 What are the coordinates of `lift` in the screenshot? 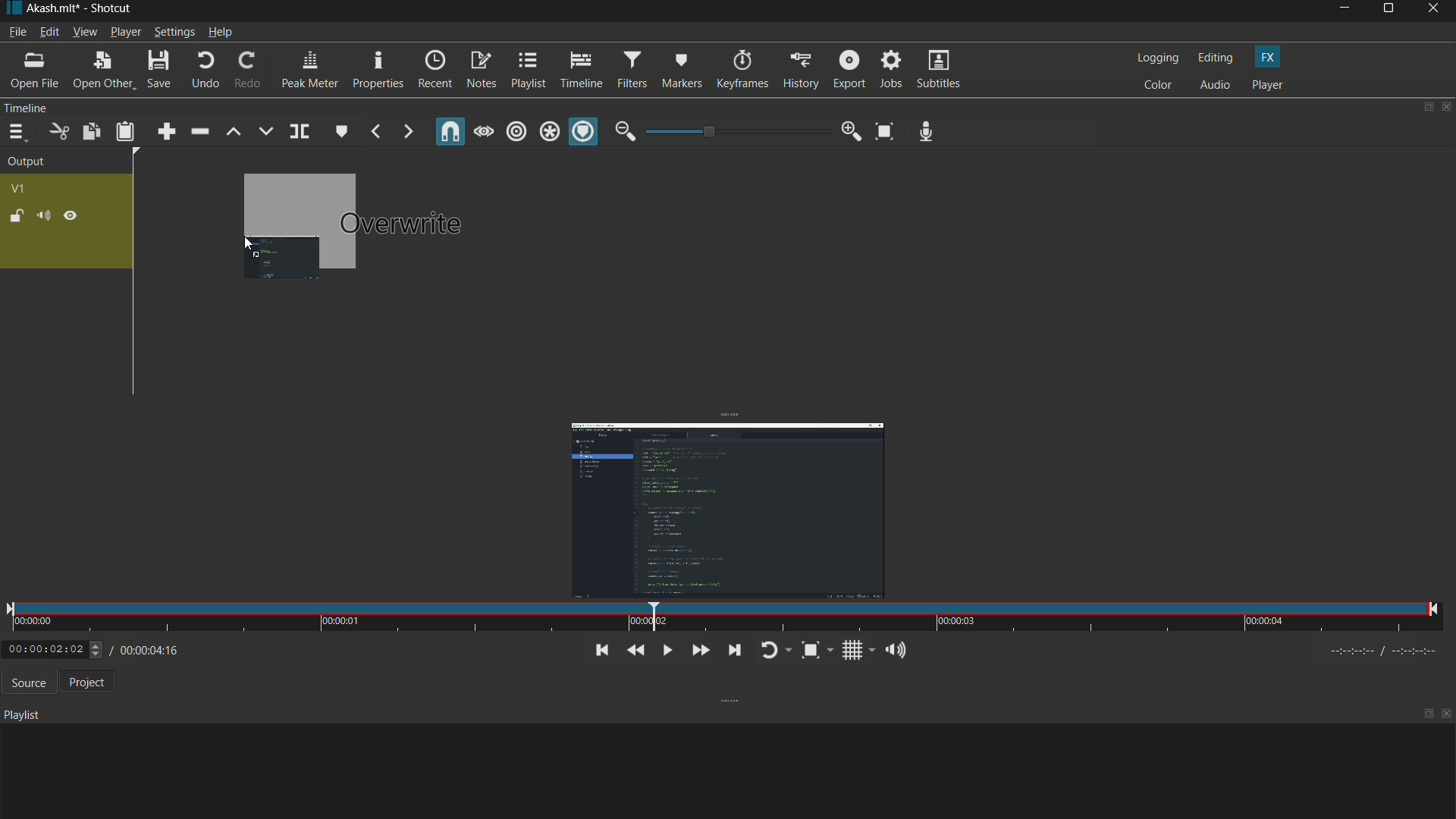 It's located at (234, 132).